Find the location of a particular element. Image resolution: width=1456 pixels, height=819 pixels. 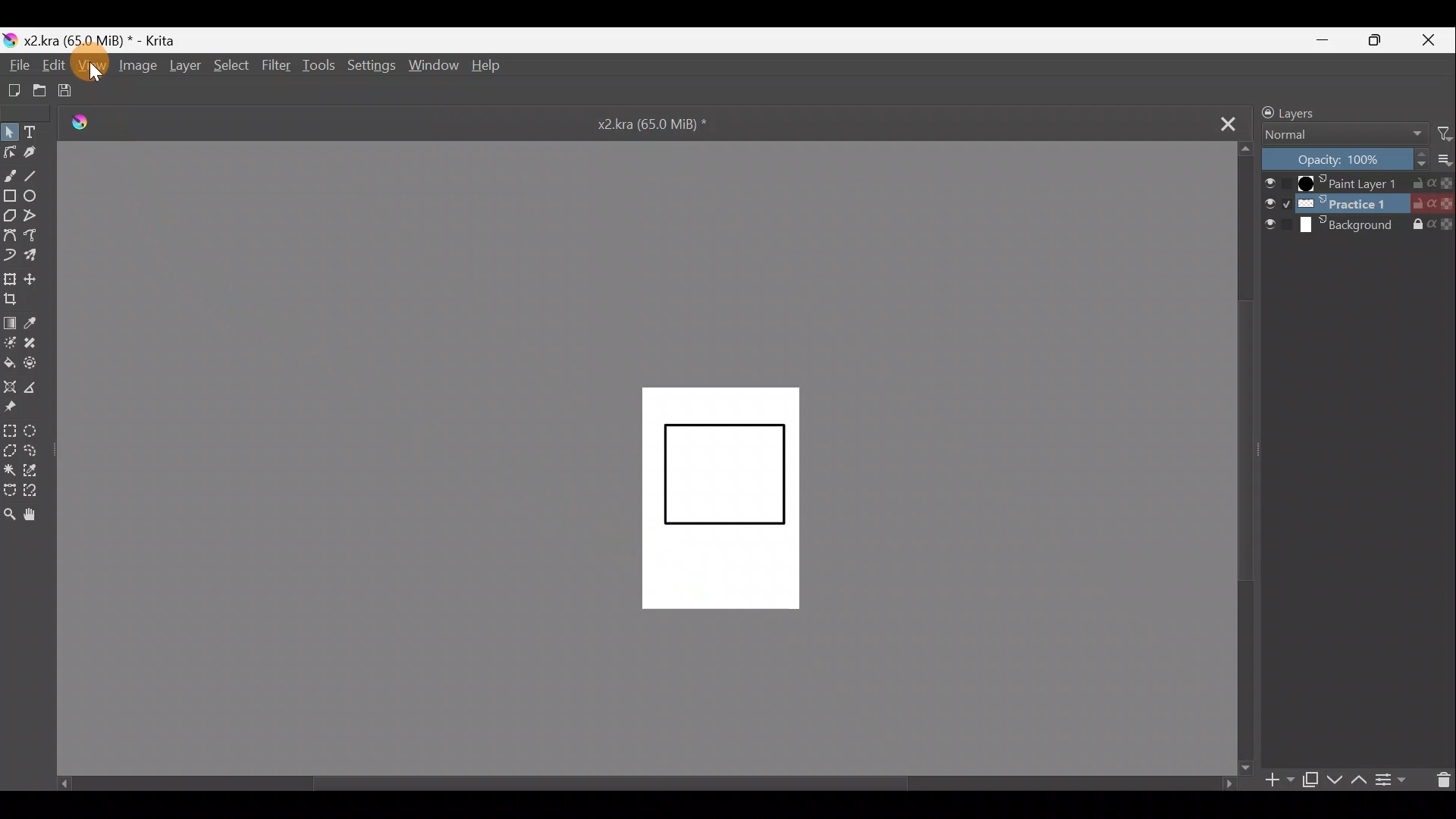

Ellipse tool is located at coordinates (35, 196).